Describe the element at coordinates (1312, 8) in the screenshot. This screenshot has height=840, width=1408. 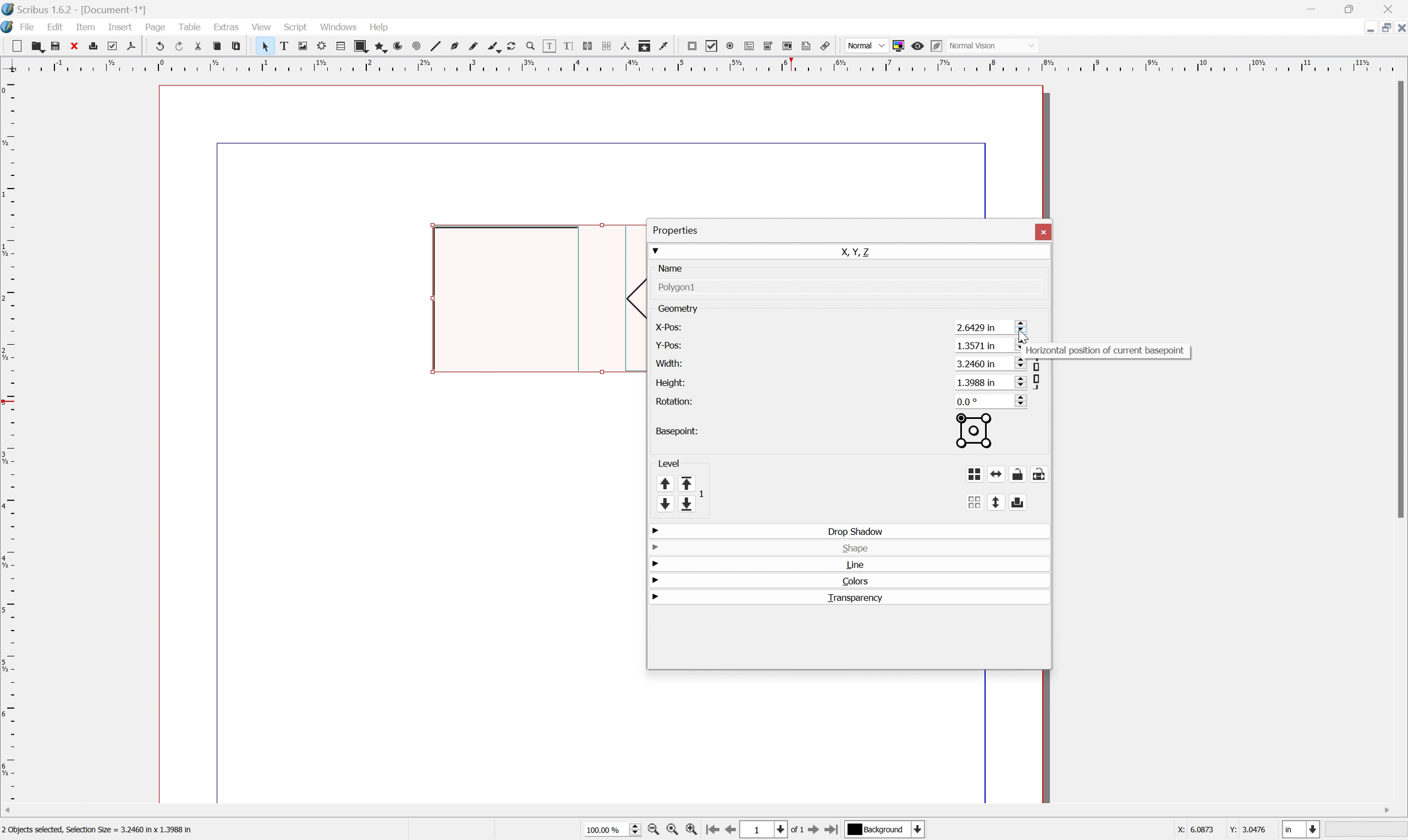
I see `Minimize` at that location.